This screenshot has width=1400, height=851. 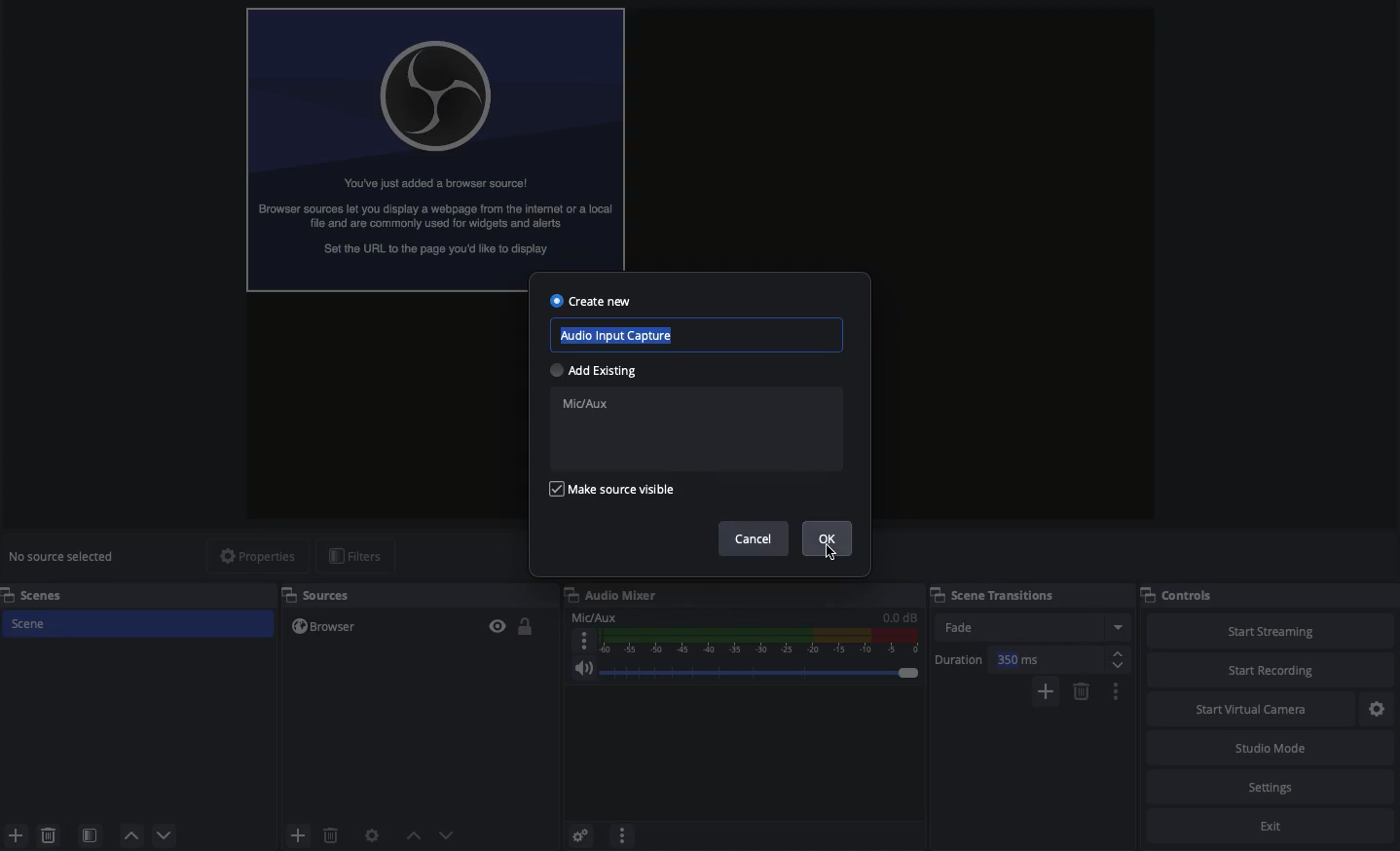 What do you see at coordinates (577, 834) in the screenshot?
I see `Settings` at bounding box center [577, 834].